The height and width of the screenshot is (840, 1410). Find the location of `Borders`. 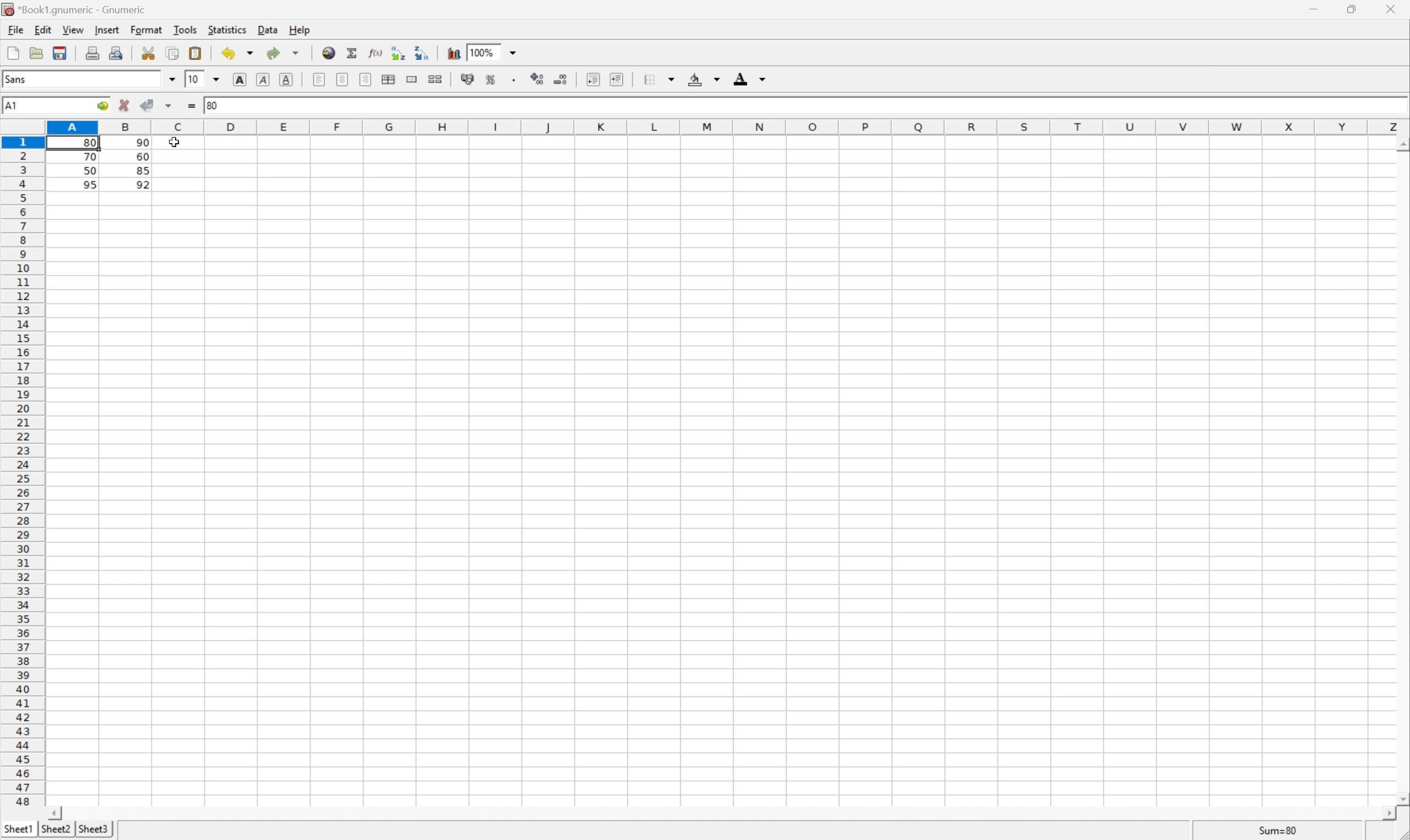

Borders is located at coordinates (659, 76).